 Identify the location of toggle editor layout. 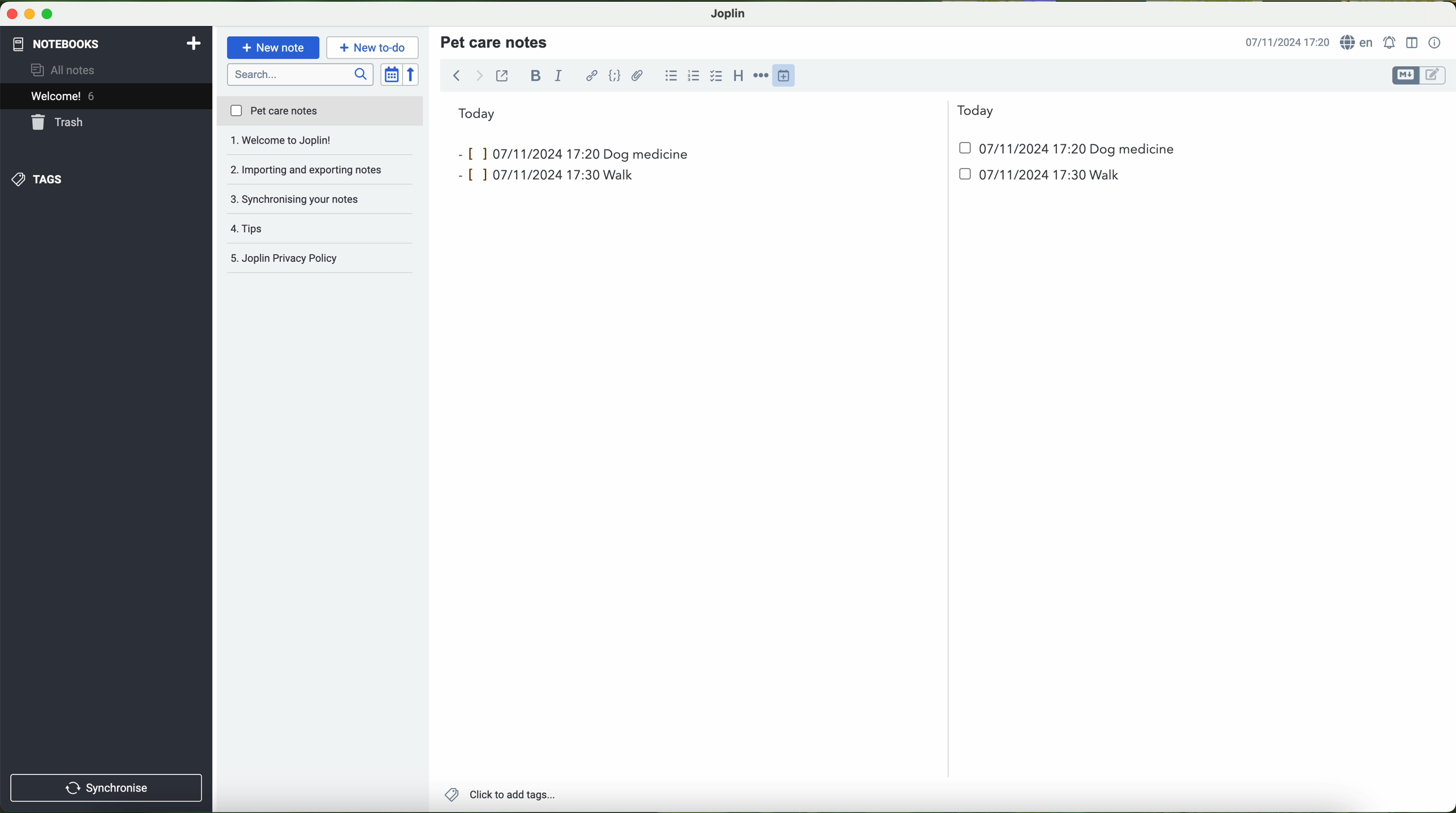
(1412, 42).